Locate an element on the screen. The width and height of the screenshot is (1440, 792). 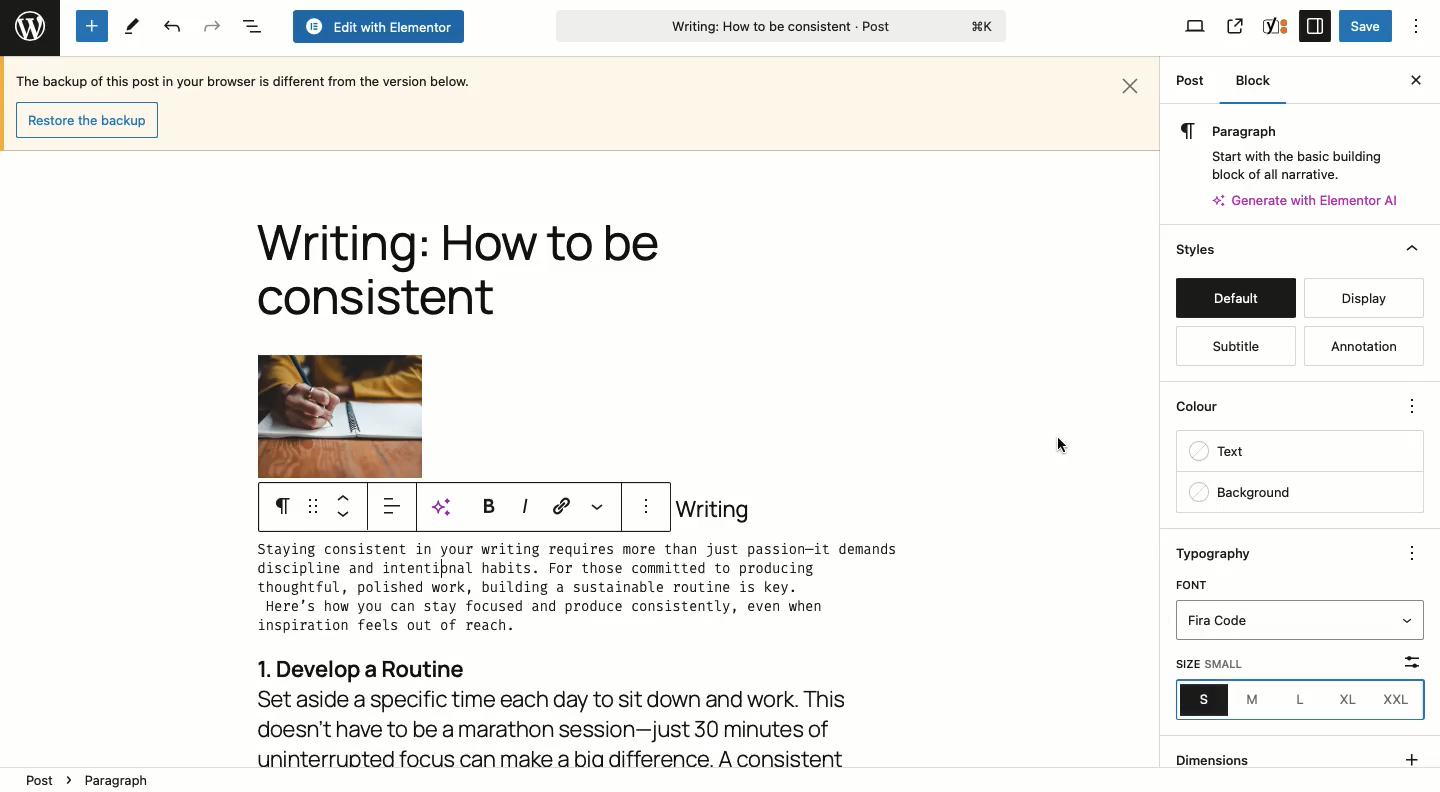
Style is located at coordinates (1198, 249).